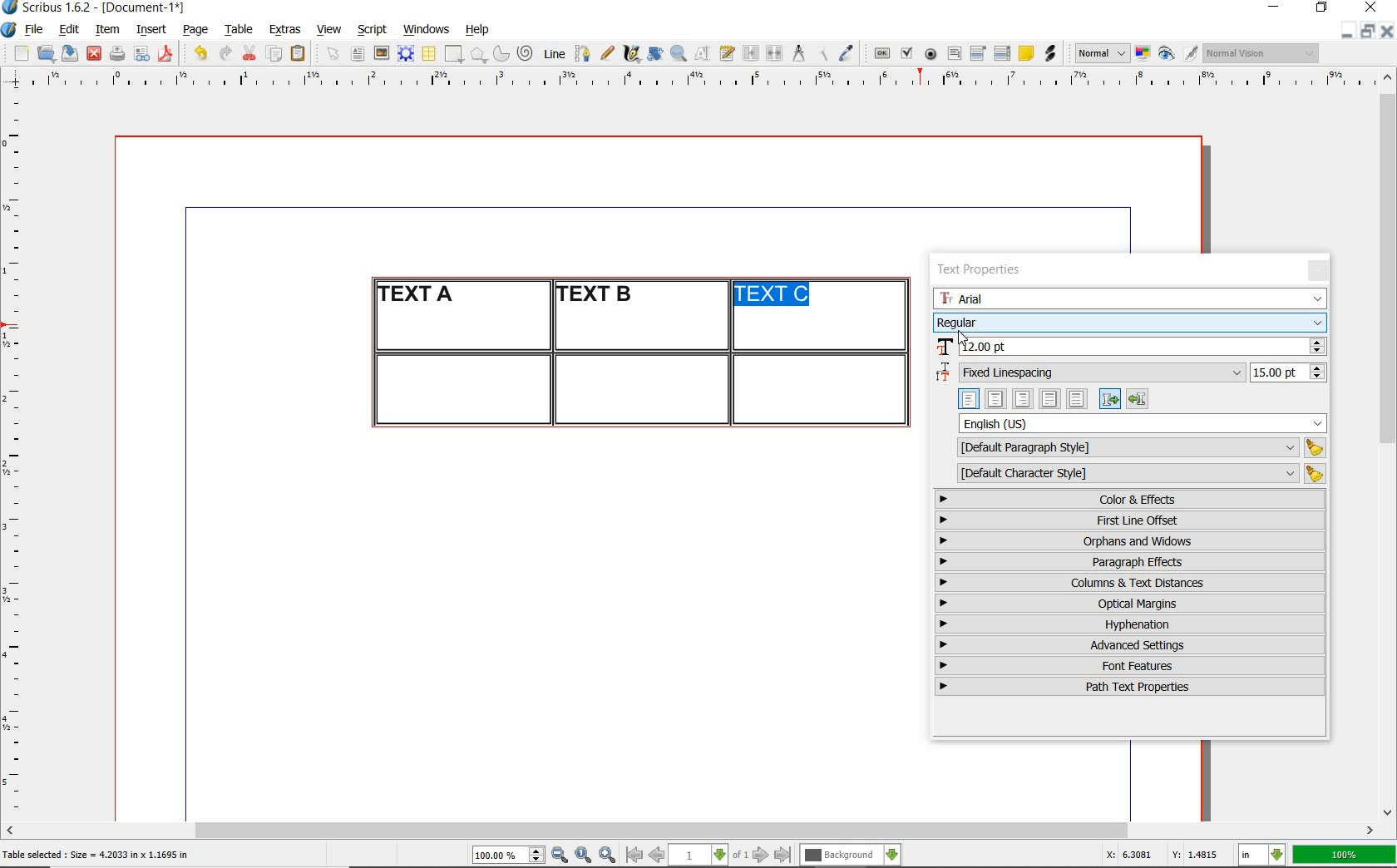 Image resolution: width=1397 pixels, height=868 pixels. I want to click on ruler, so click(709, 81).